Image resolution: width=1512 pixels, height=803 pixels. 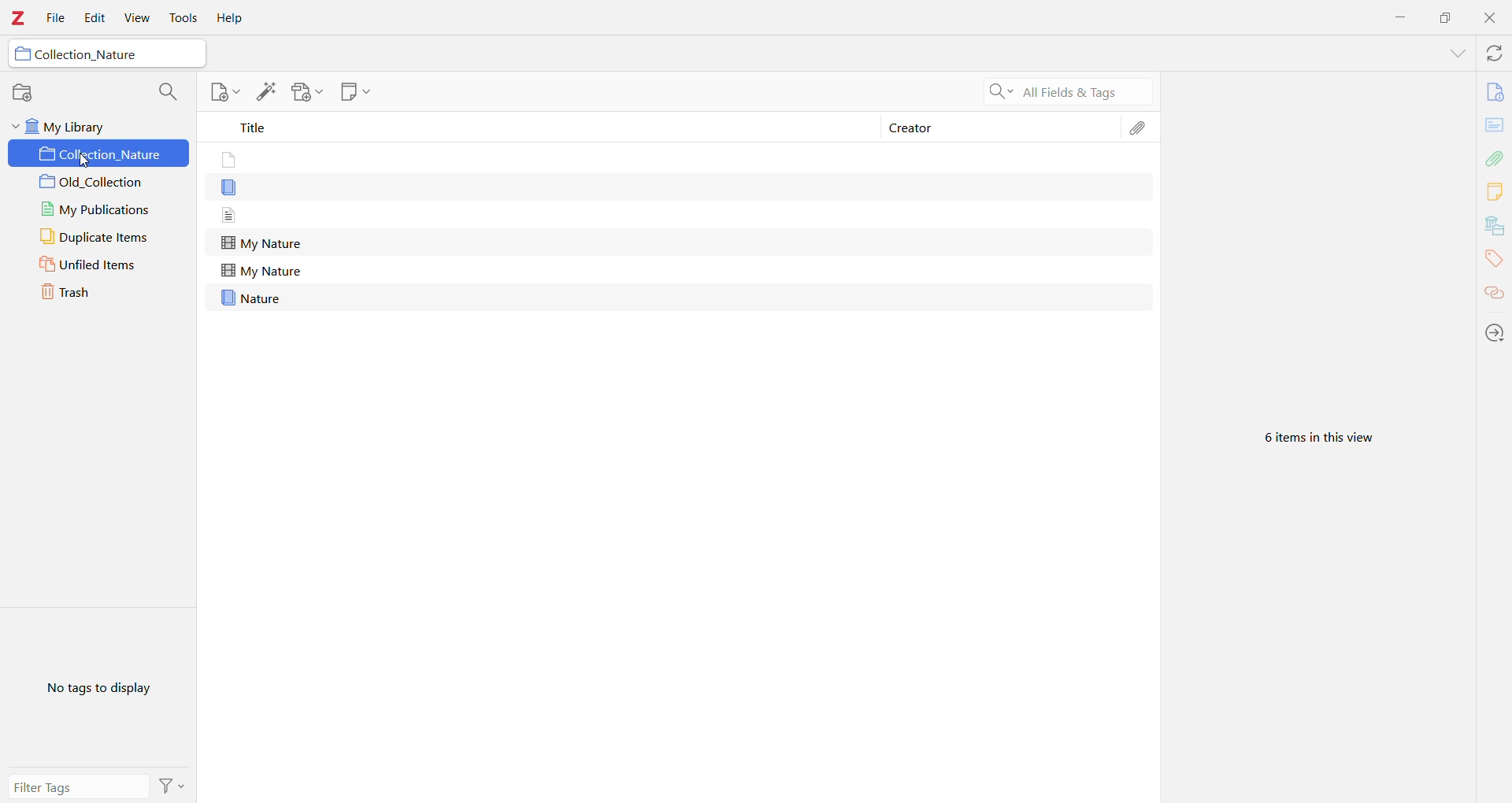 I want to click on My Publications, so click(x=103, y=210).